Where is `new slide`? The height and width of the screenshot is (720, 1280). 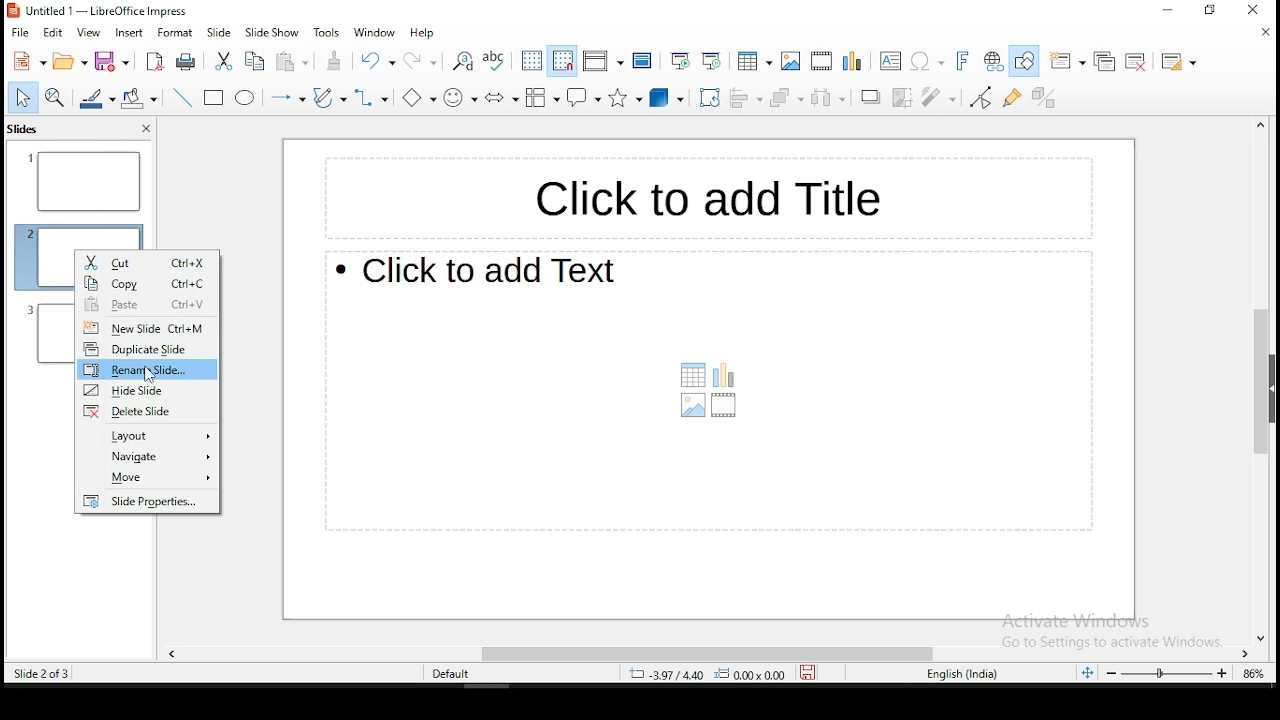
new slide is located at coordinates (146, 326).